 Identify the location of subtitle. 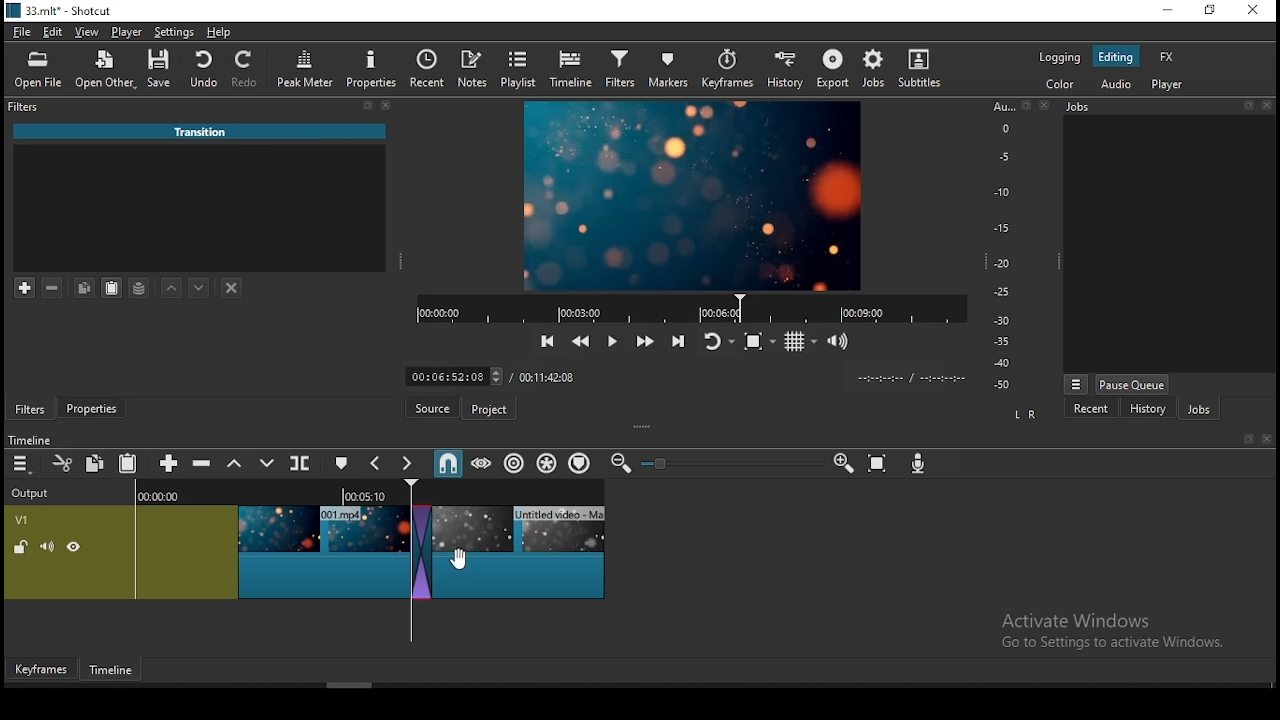
(919, 70).